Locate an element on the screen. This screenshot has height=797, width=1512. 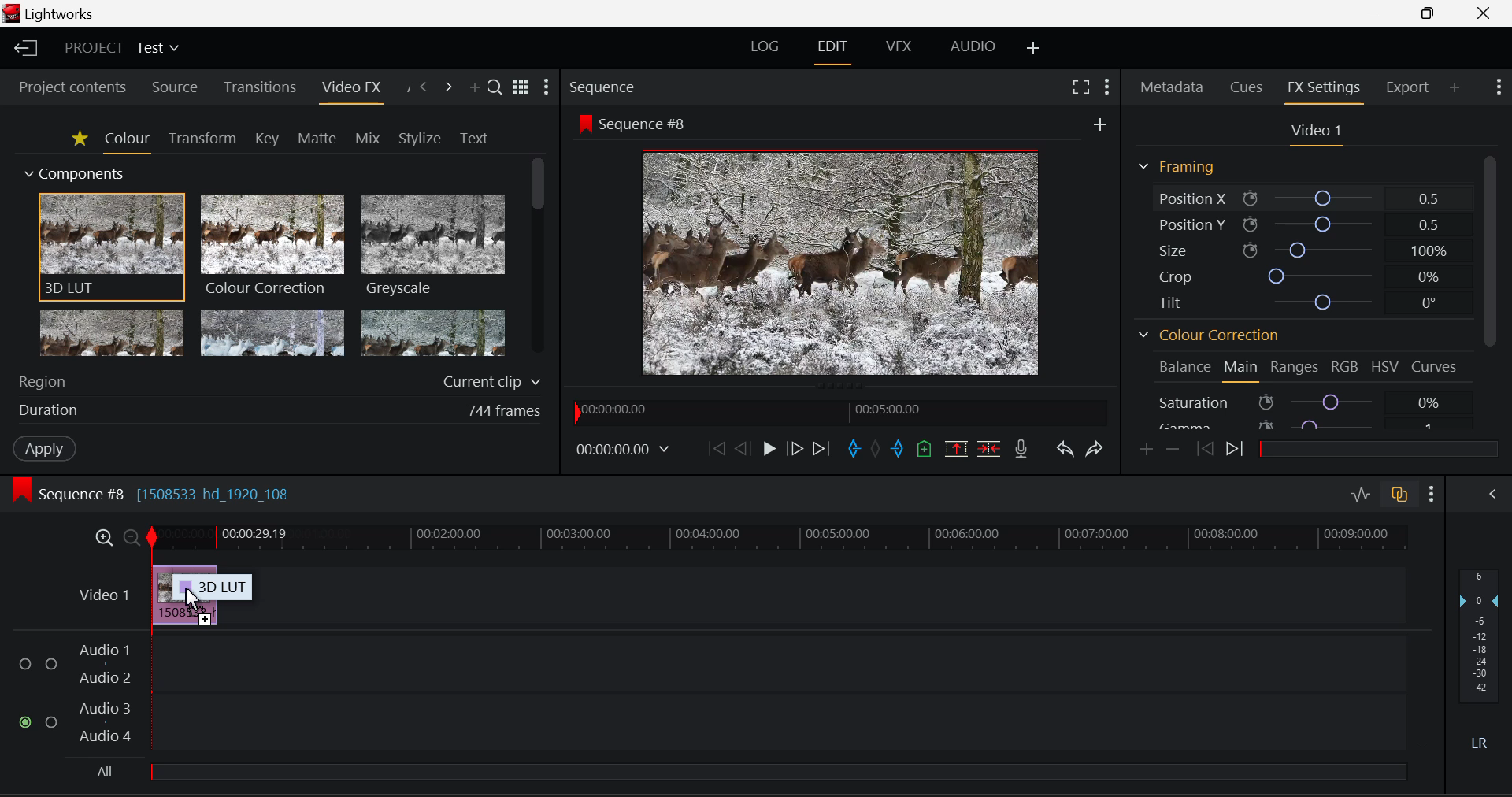
Video FX Panel Open is located at coordinates (353, 91).